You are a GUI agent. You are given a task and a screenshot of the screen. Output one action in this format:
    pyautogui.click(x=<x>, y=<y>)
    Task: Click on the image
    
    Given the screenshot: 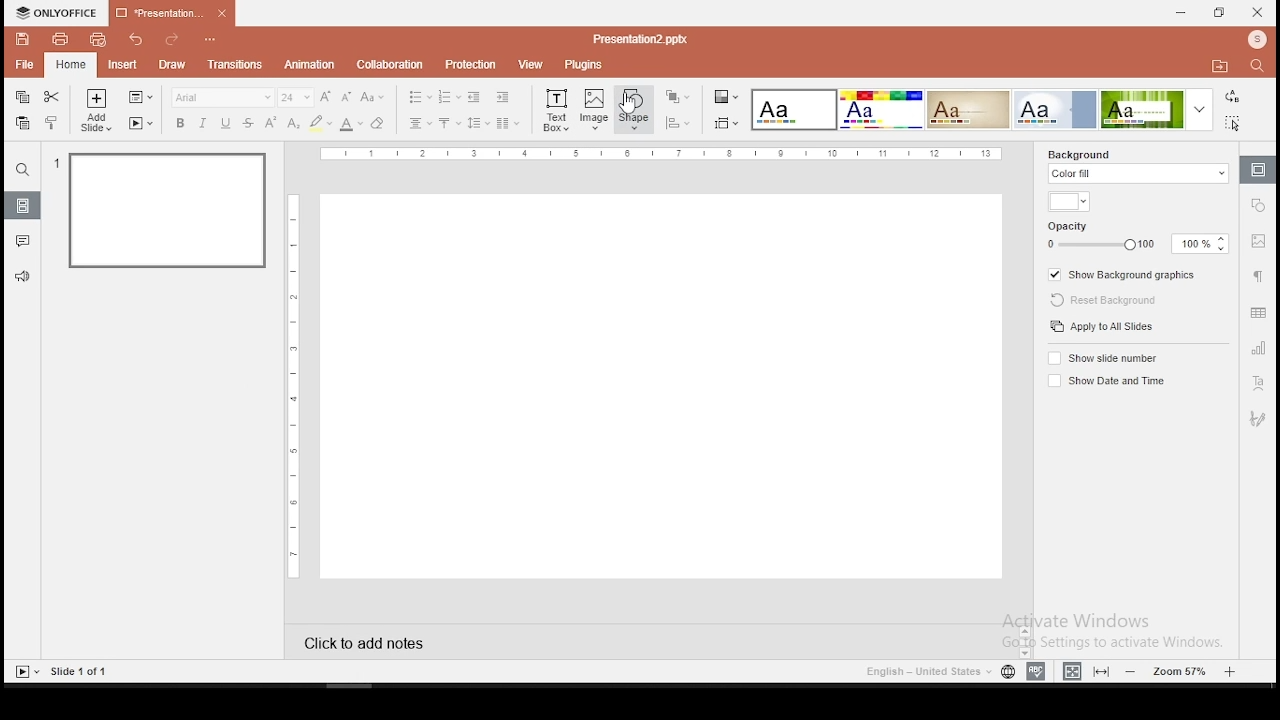 What is the action you would take?
    pyautogui.click(x=595, y=109)
    